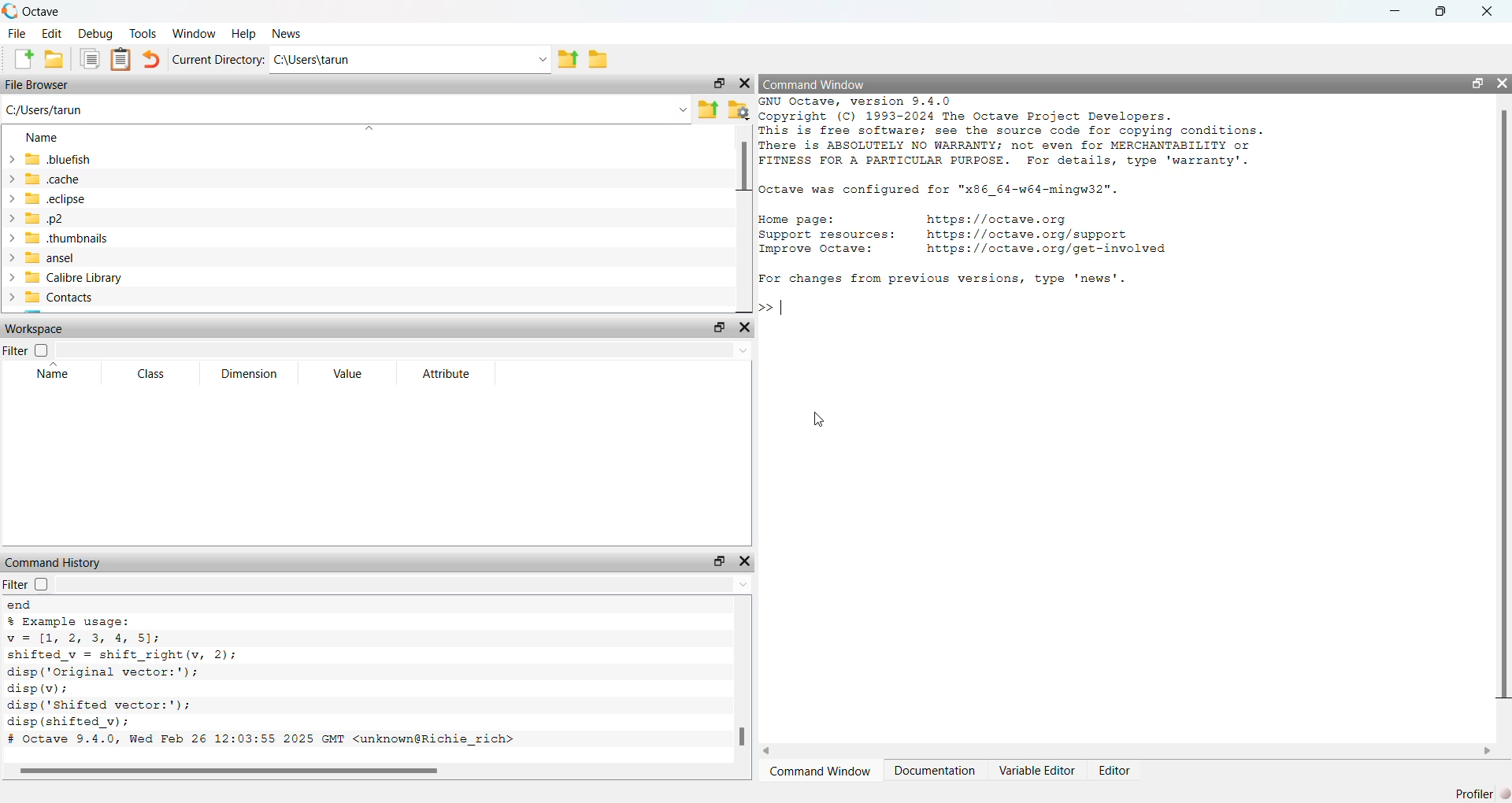 The width and height of the screenshot is (1512, 803). I want to click on open an existing file in editor, so click(58, 61).